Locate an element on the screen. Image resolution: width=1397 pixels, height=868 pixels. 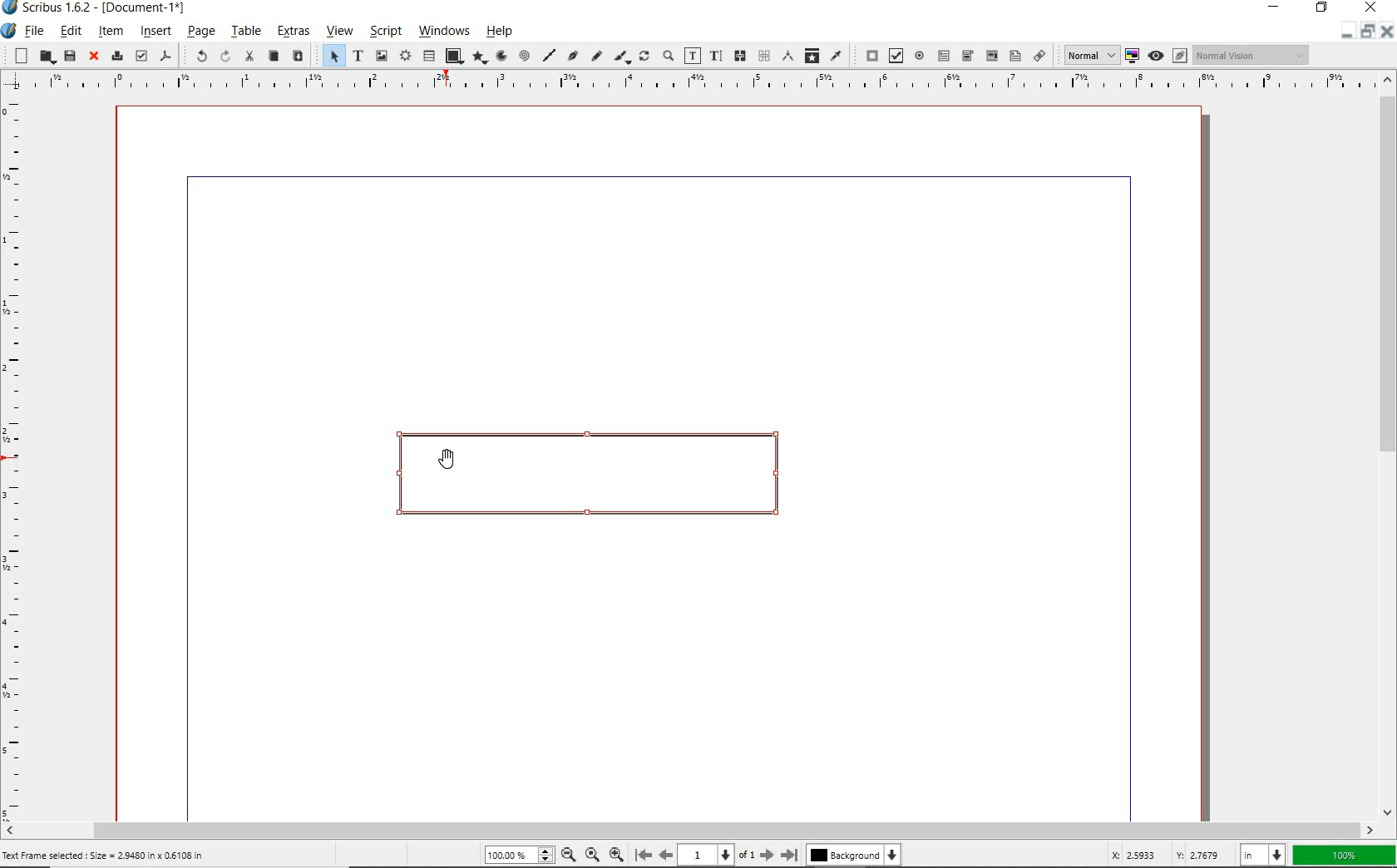
close is located at coordinates (91, 57).